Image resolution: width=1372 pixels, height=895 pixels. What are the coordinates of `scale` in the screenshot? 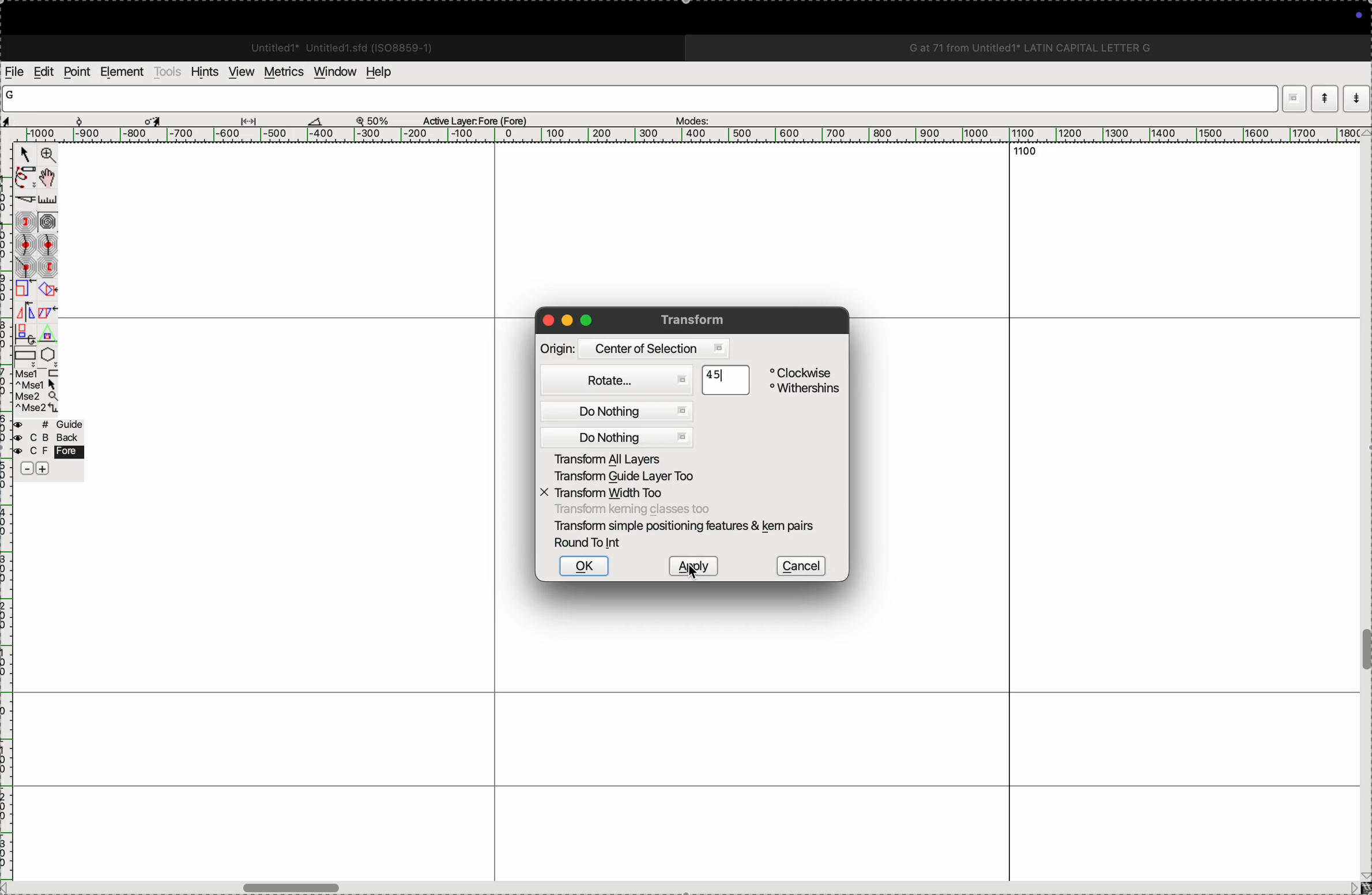 It's located at (692, 134).